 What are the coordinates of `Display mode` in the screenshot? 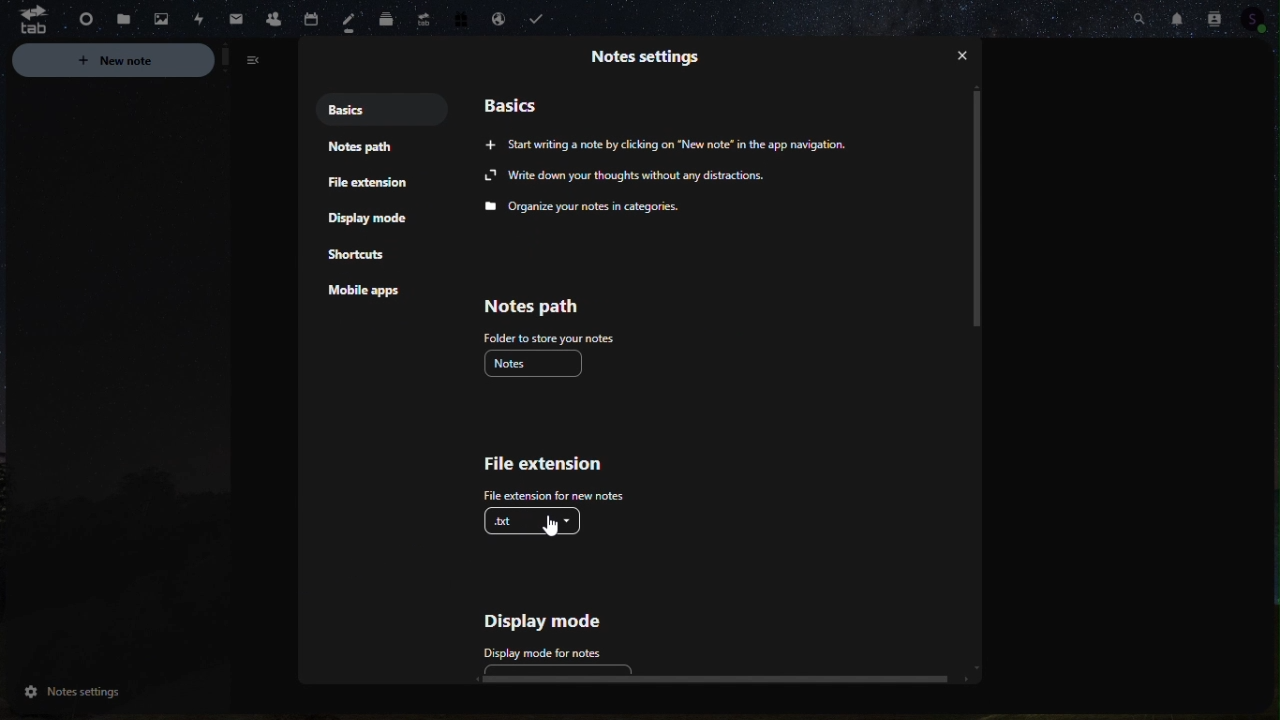 It's located at (567, 632).